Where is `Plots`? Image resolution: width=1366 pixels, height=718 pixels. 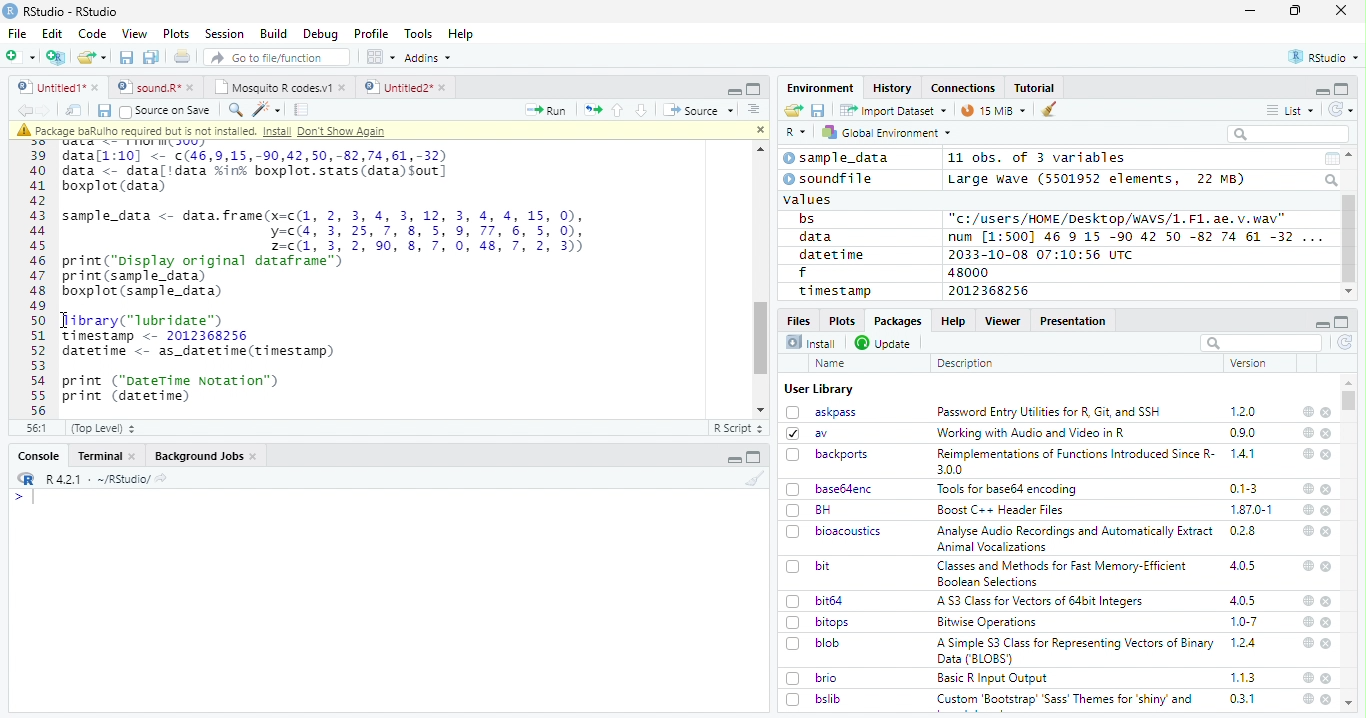 Plots is located at coordinates (176, 34).